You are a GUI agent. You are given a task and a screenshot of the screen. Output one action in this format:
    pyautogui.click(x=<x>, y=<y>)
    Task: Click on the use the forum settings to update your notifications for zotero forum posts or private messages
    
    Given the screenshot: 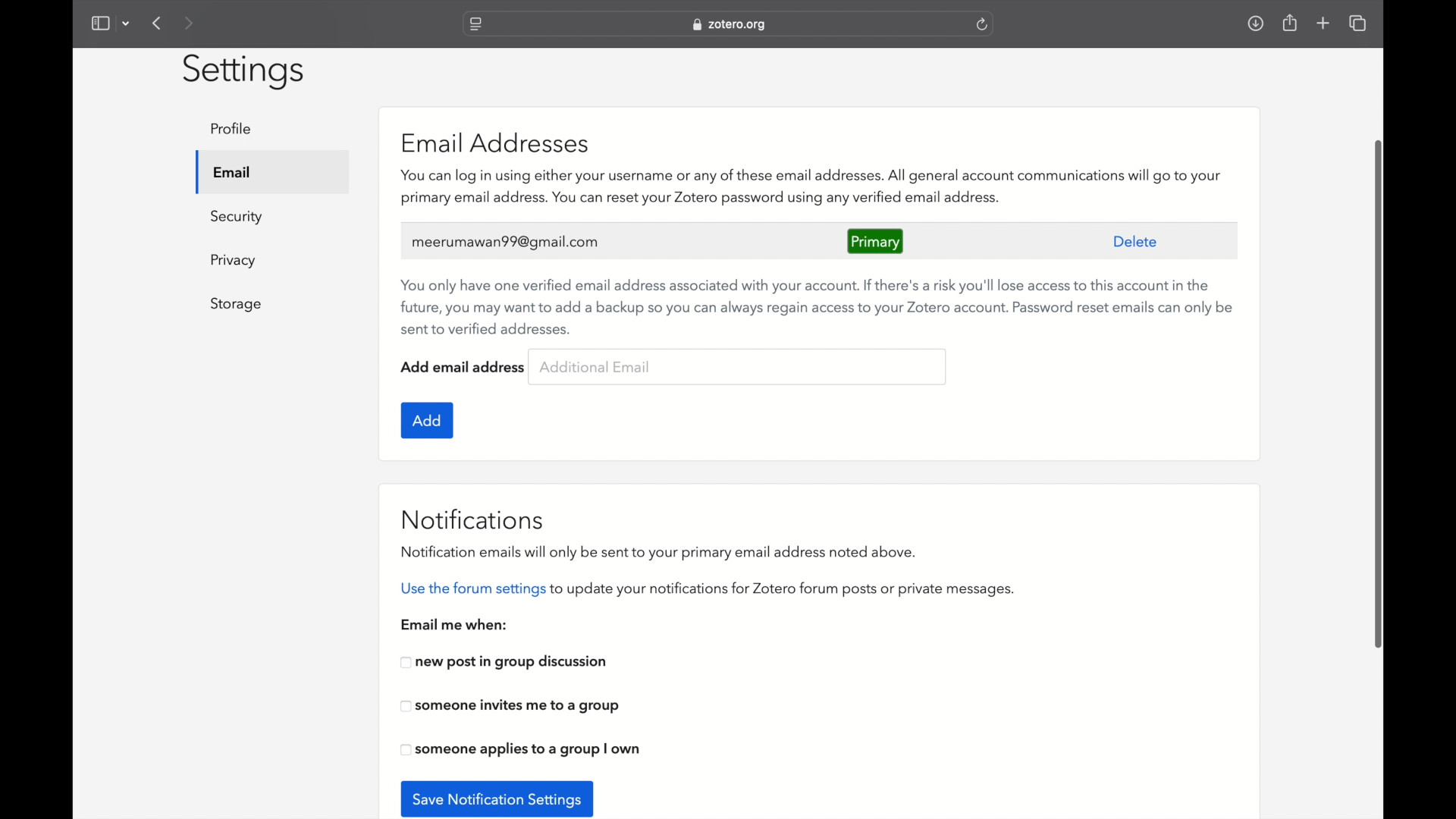 What is the action you would take?
    pyautogui.click(x=706, y=589)
    